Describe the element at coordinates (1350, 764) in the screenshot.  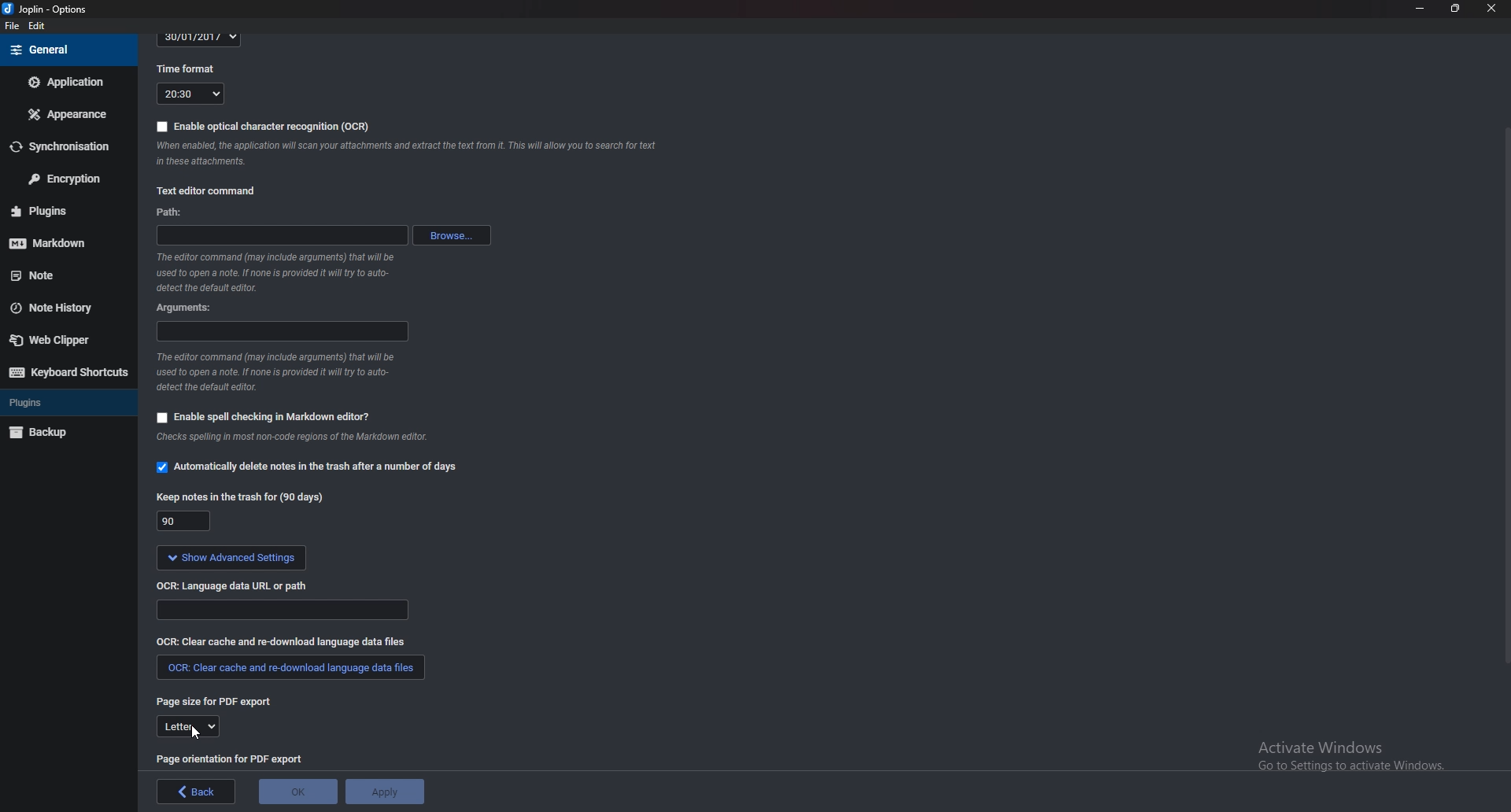
I see `activate windows` at that location.